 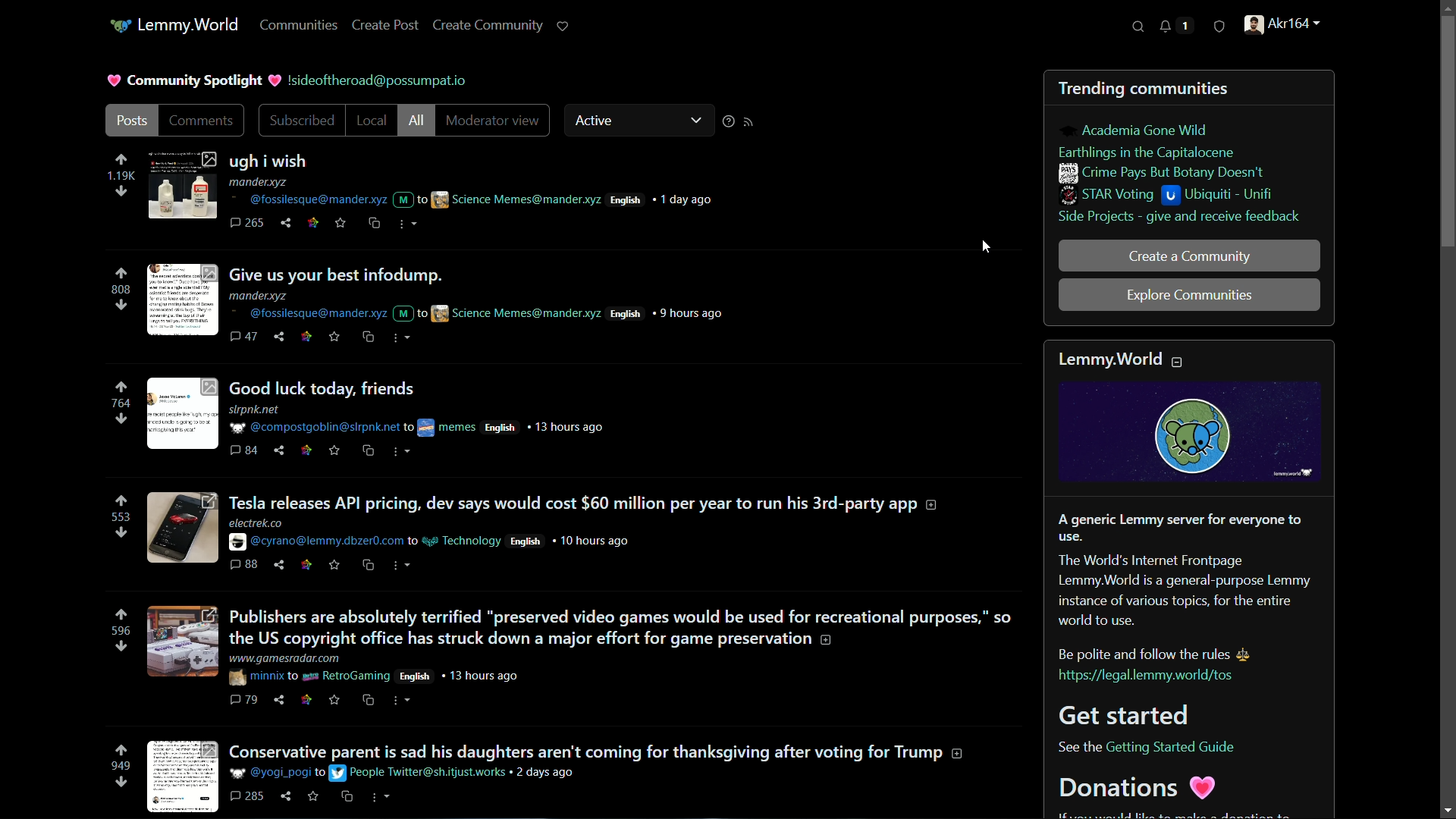 What do you see at coordinates (335, 700) in the screenshot?
I see `save` at bounding box center [335, 700].